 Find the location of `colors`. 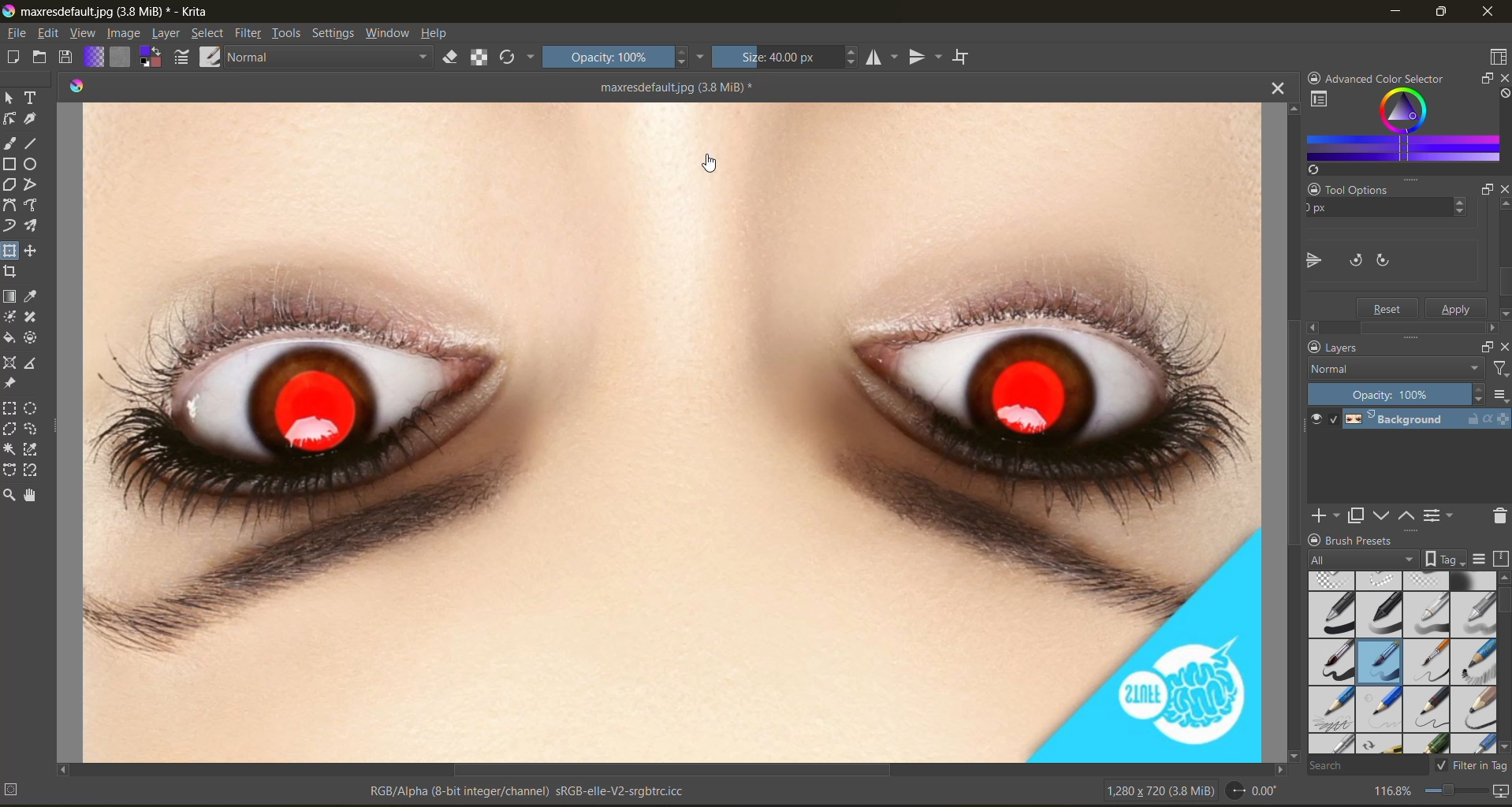

colors is located at coordinates (79, 83).